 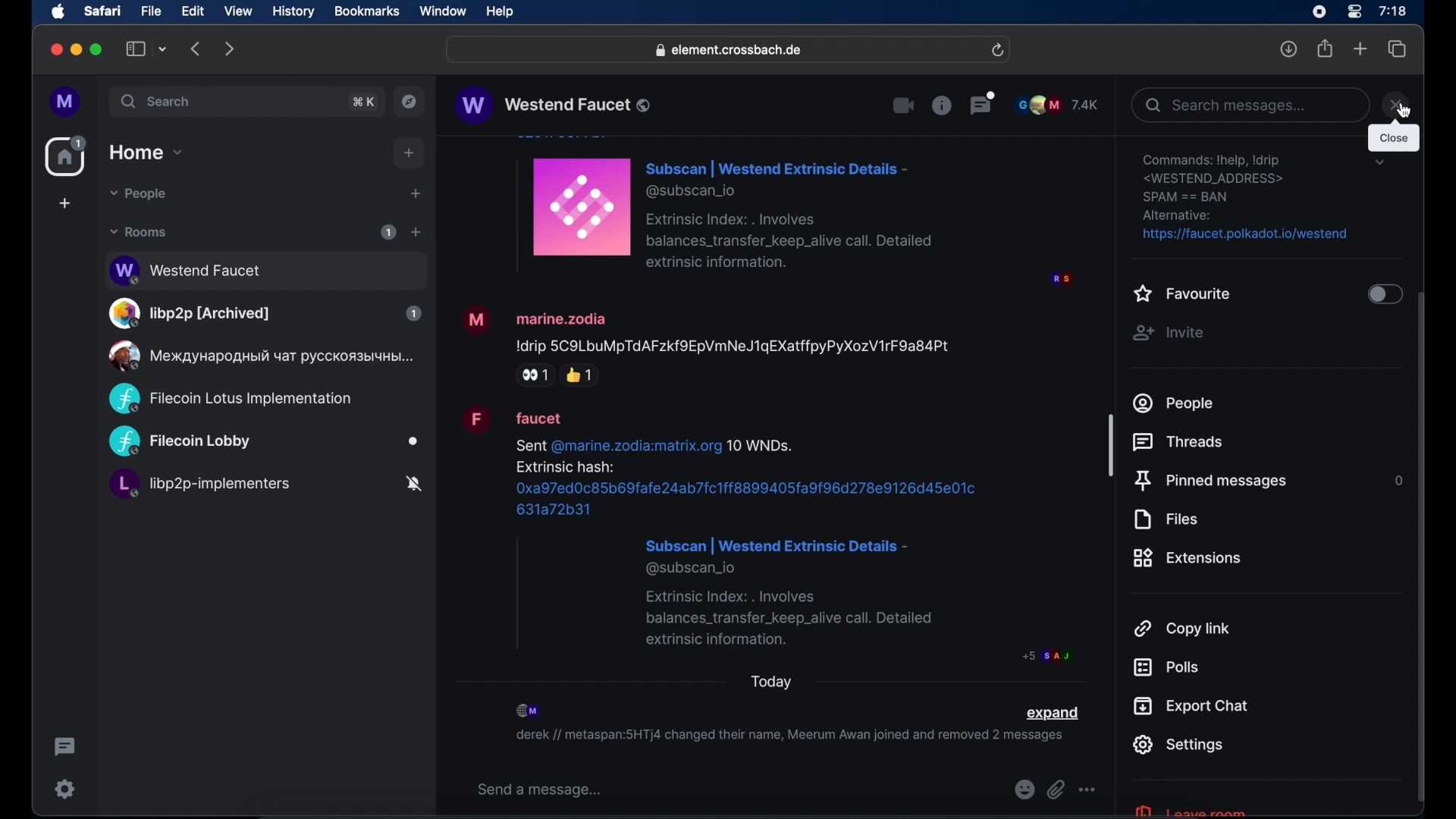 What do you see at coordinates (791, 212) in the screenshot?
I see `message` at bounding box center [791, 212].